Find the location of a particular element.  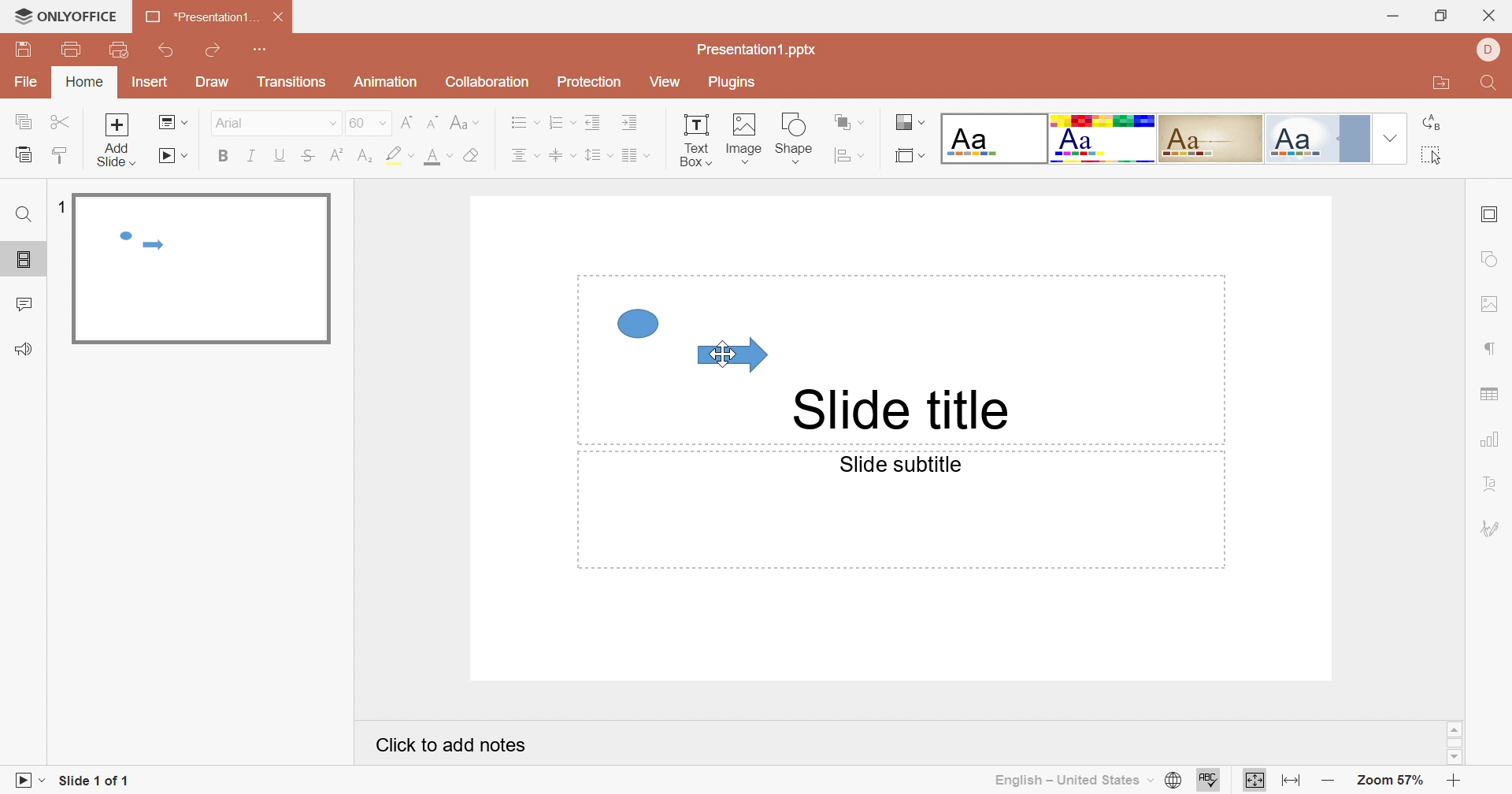

Circle is located at coordinates (630, 317).